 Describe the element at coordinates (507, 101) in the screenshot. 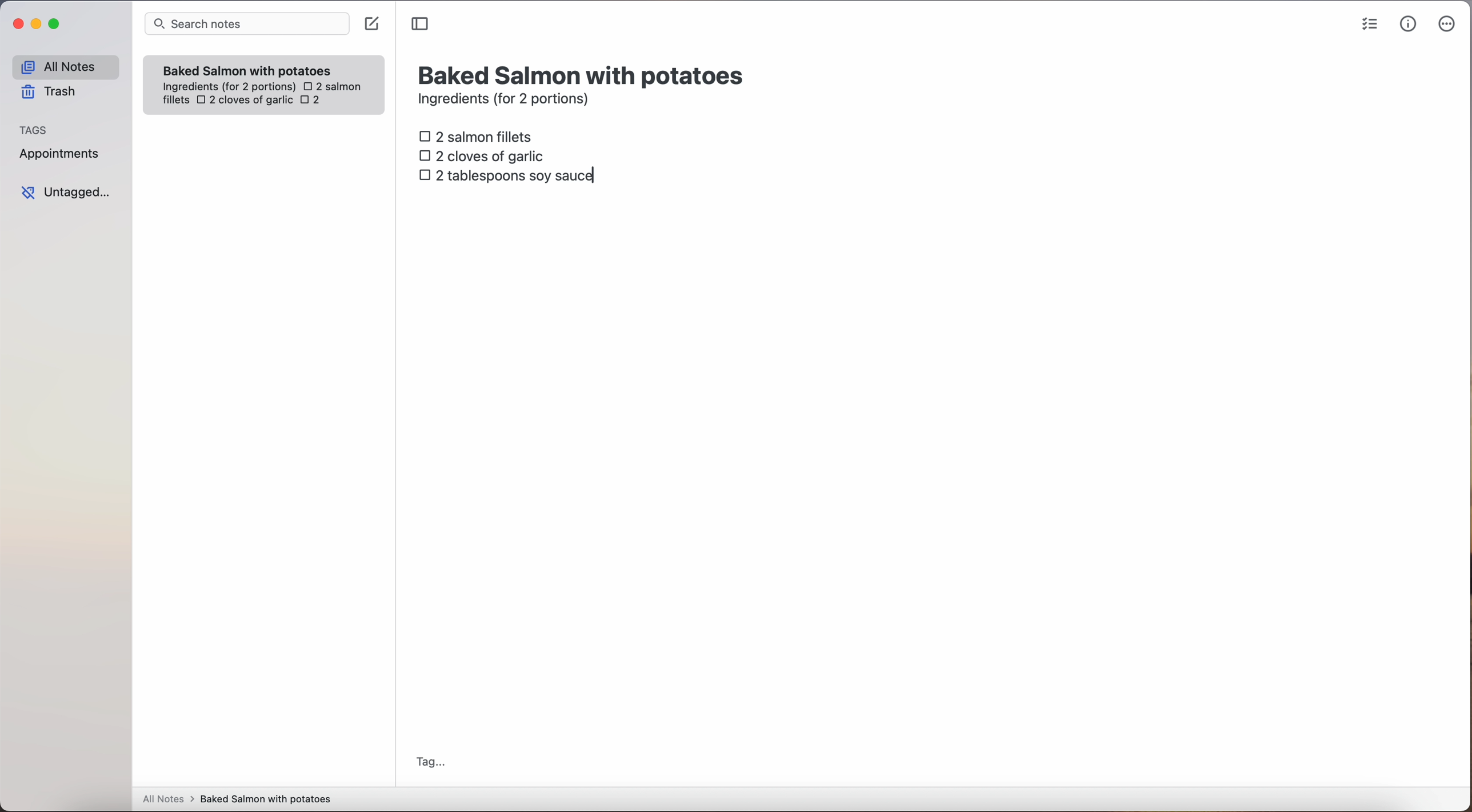

I see `ingredients (for 2 portions)` at that location.